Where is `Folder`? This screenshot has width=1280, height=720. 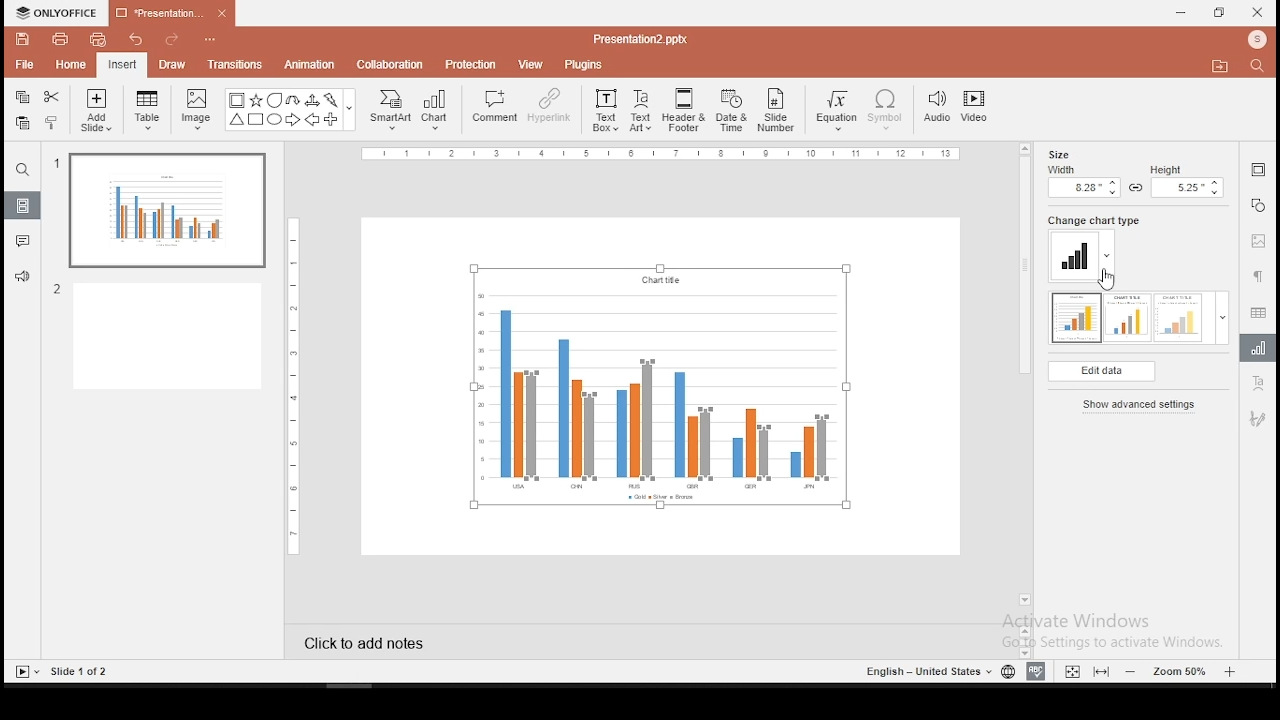 Folder is located at coordinates (1220, 66).